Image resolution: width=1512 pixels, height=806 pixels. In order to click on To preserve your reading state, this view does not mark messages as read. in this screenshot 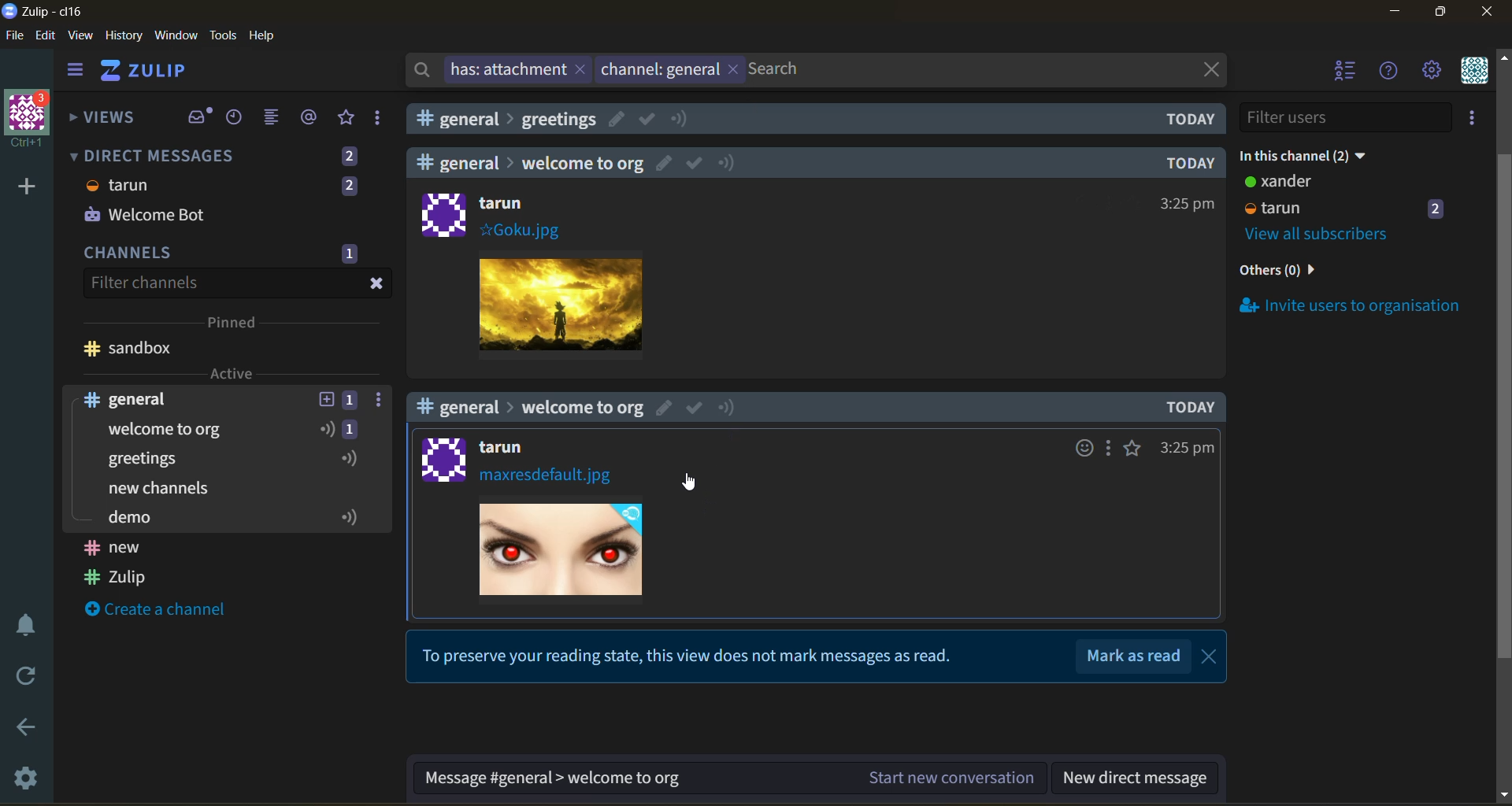, I will do `click(692, 657)`.